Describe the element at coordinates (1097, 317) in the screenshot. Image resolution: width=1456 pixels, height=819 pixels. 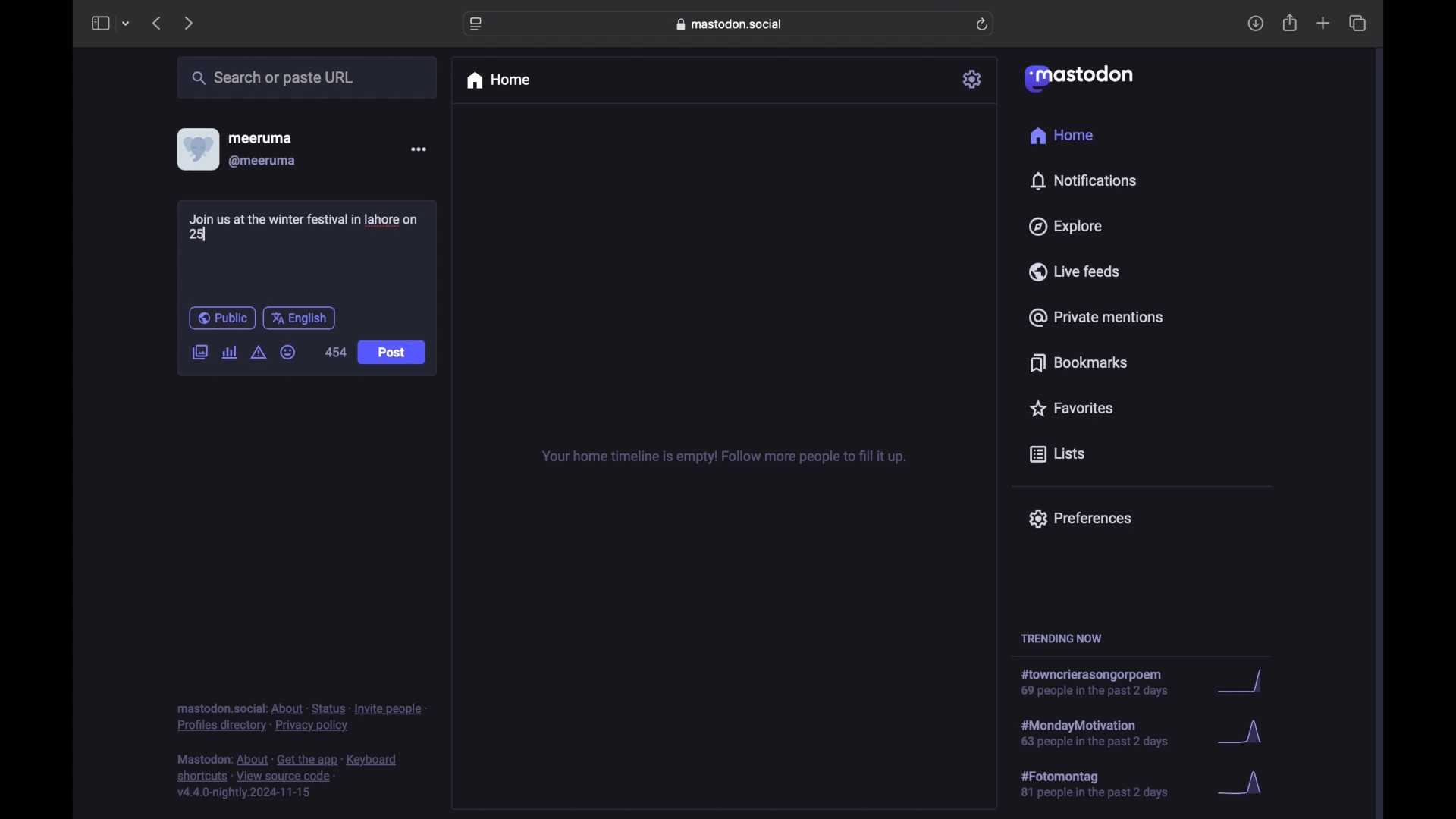
I see `private mentions` at that location.